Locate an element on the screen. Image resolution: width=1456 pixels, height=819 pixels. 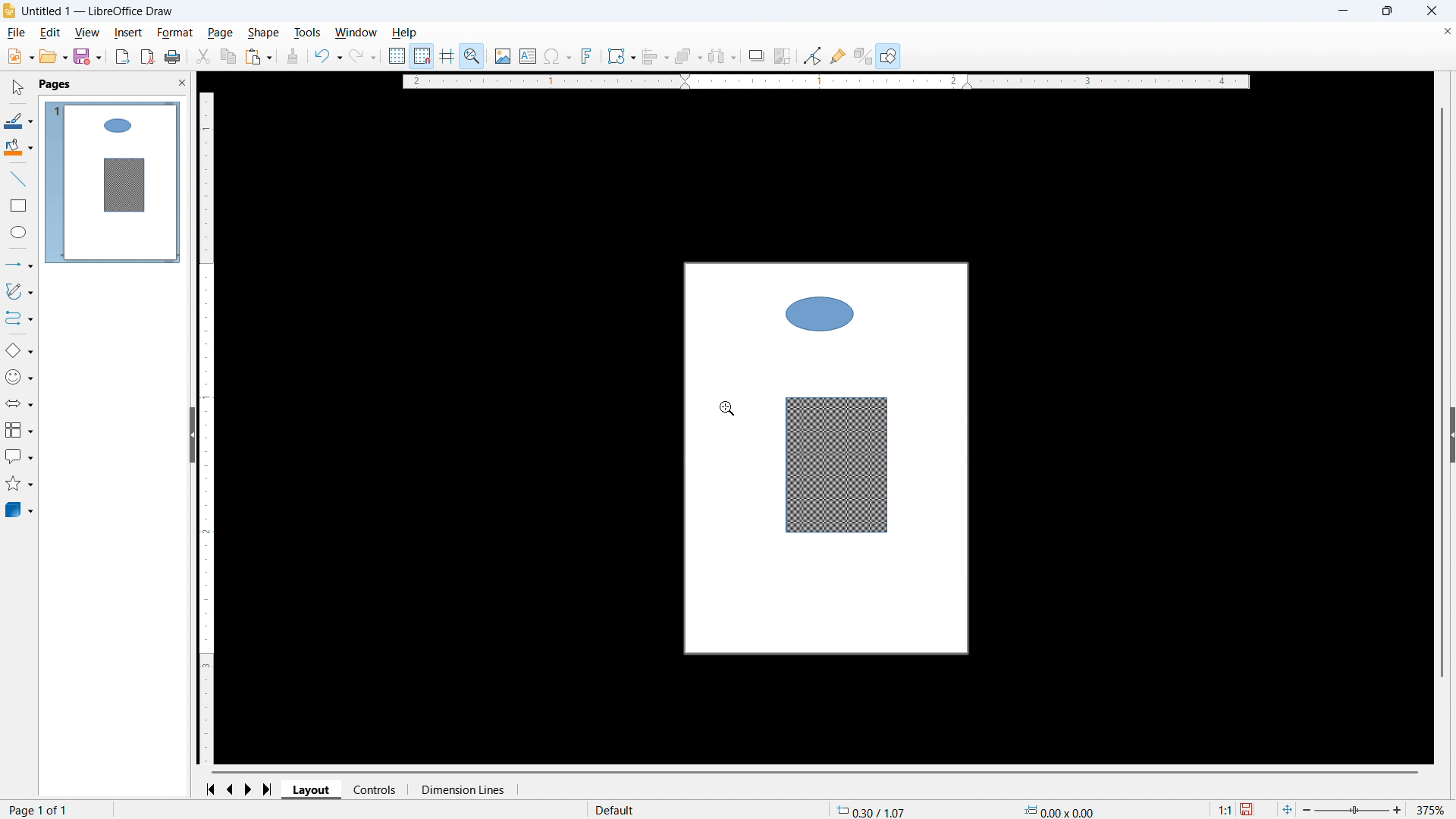
Line colour  is located at coordinates (19, 121).